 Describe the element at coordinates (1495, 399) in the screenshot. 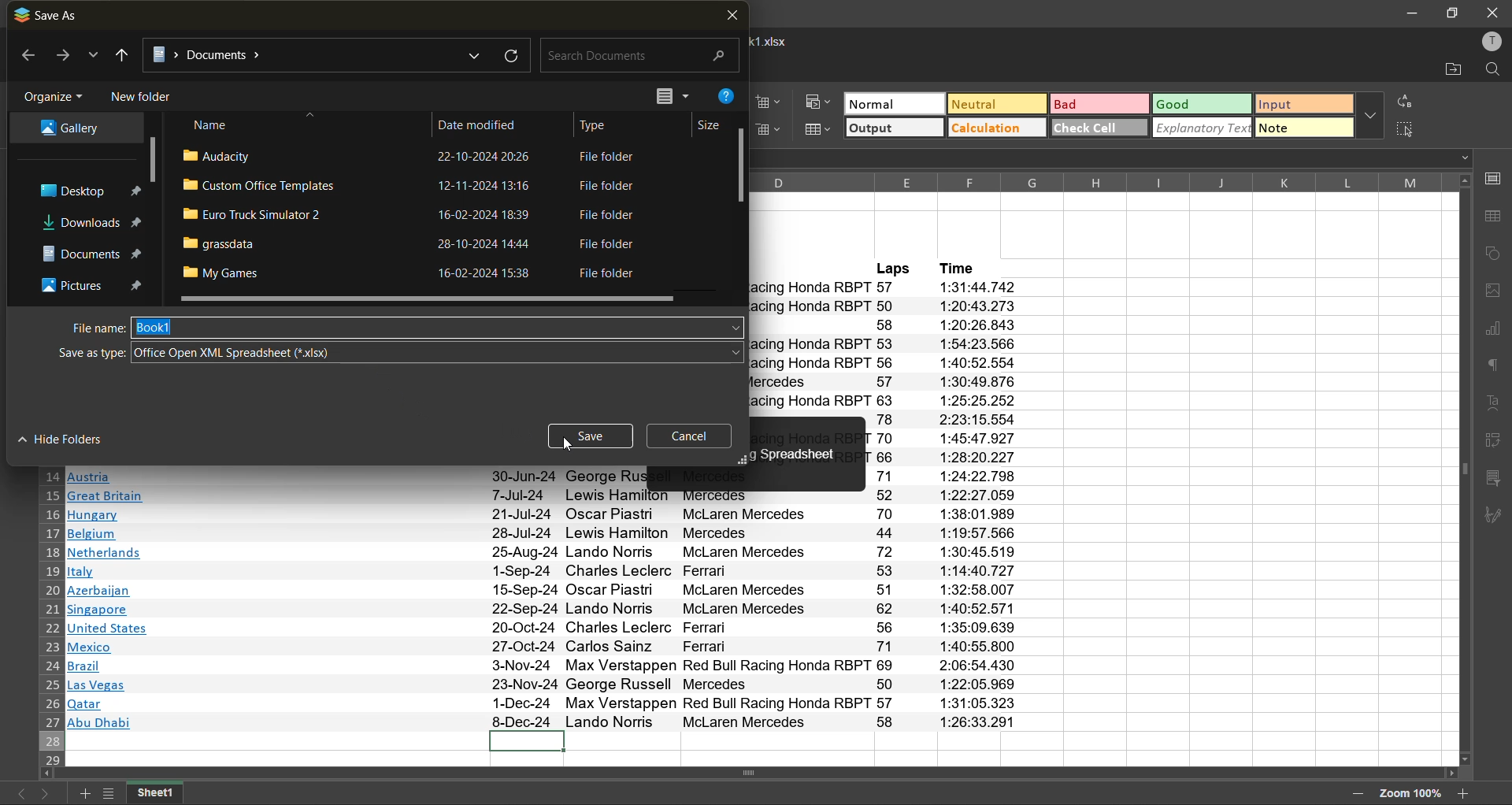

I see `text` at that location.